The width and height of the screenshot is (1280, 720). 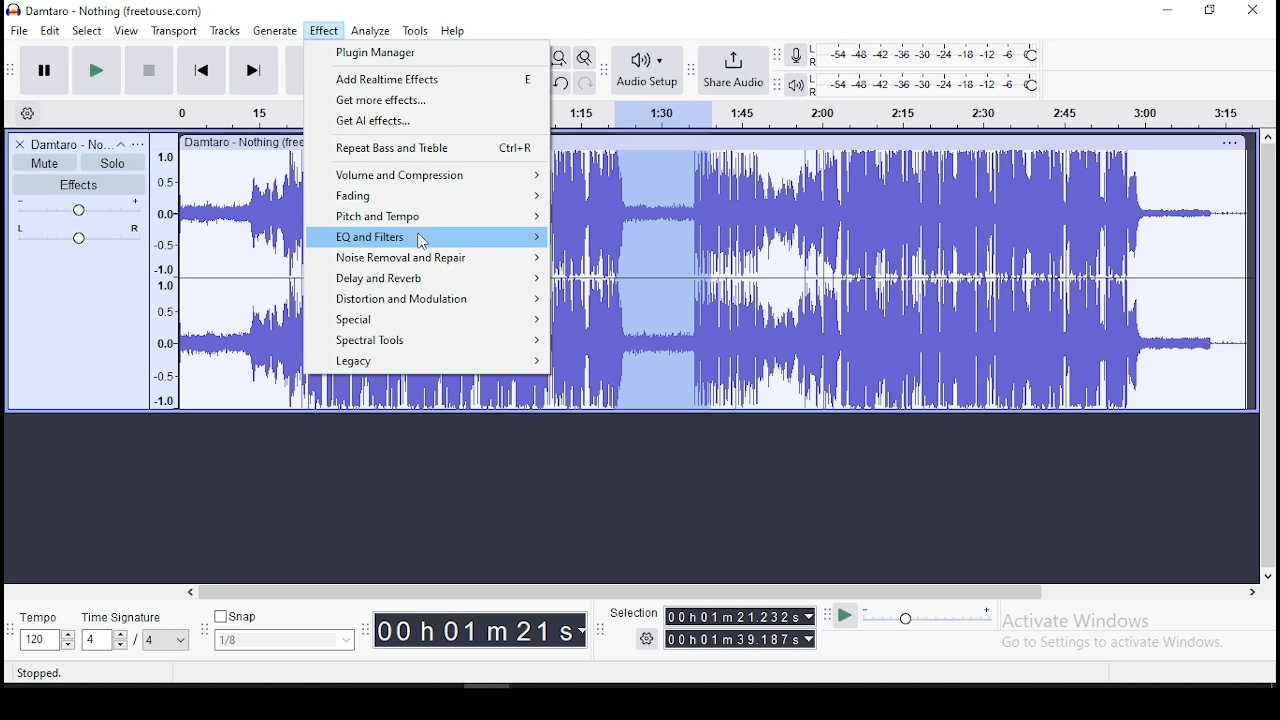 I want to click on volume, so click(x=80, y=207).